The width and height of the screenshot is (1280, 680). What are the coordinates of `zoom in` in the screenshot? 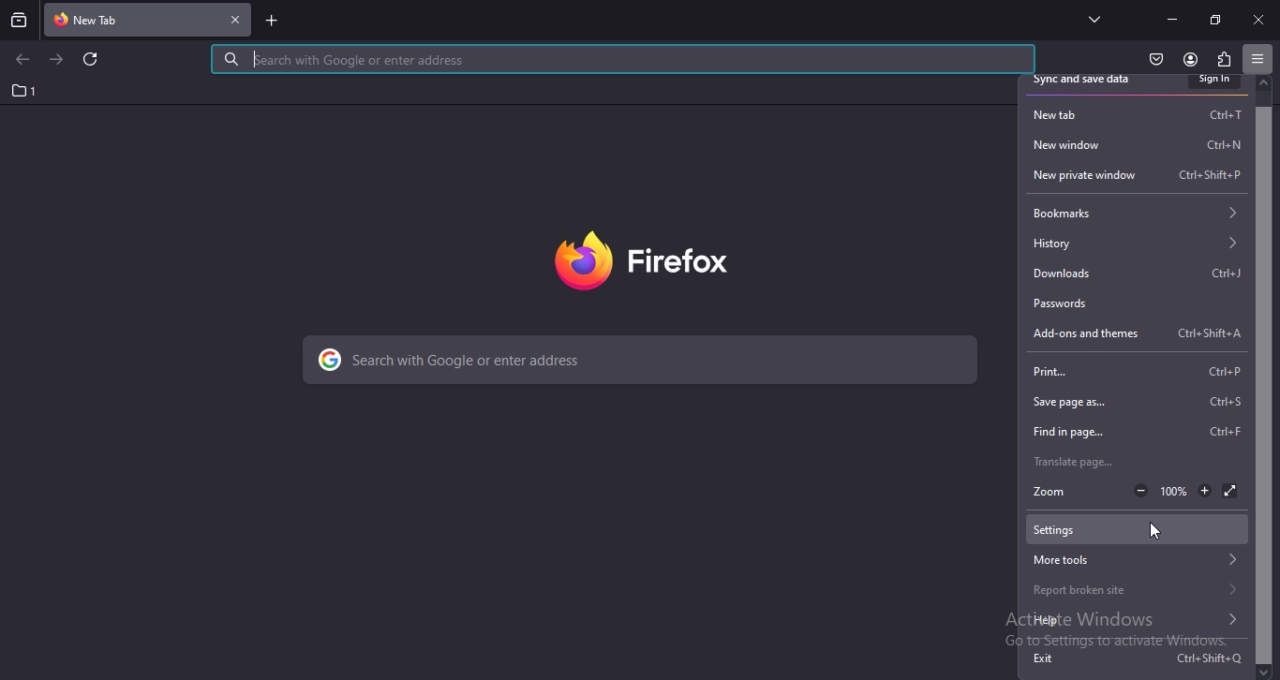 It's located at (1204, 490).